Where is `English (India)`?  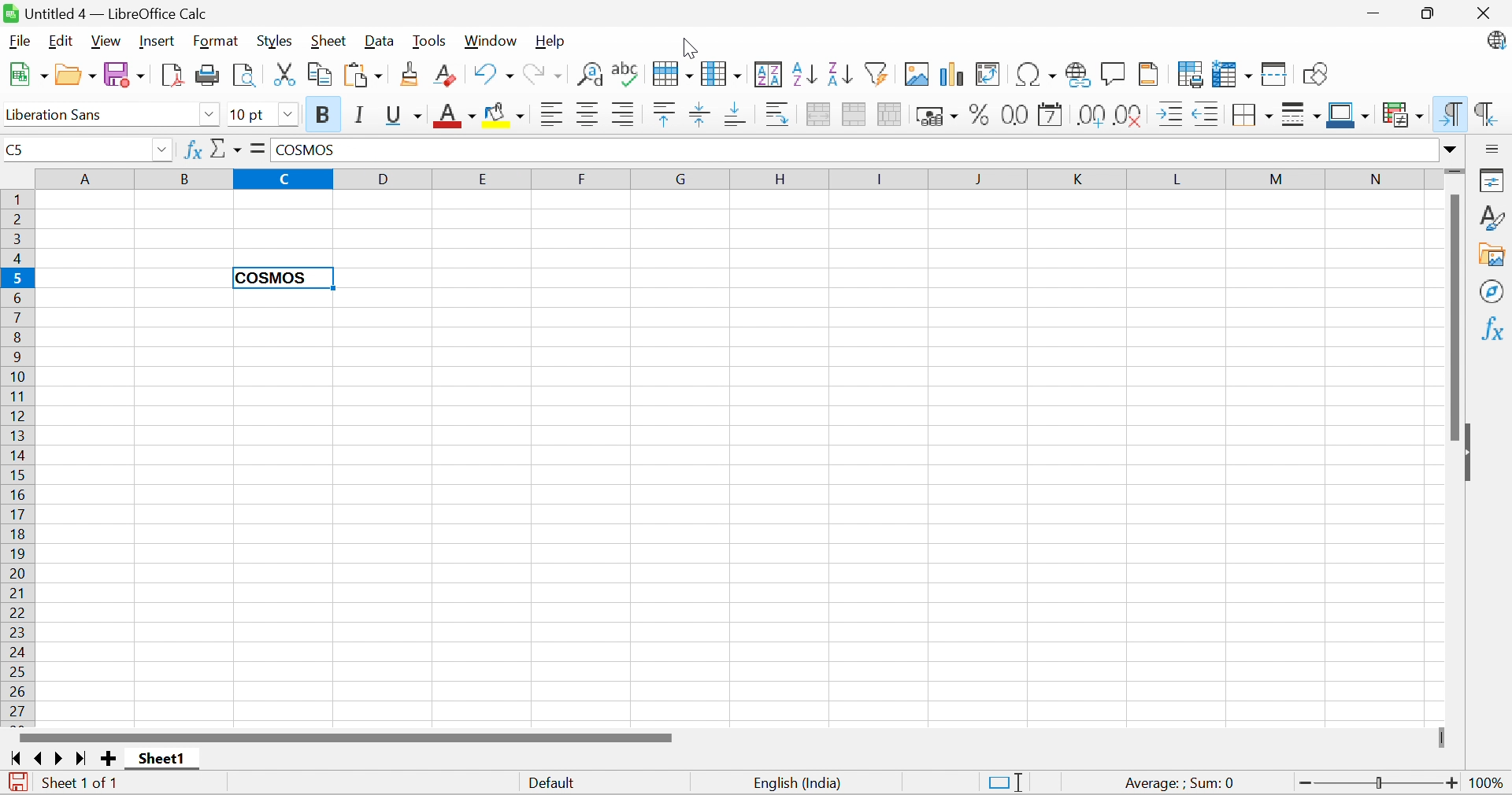 English (India) is located at coordinates (801, 782).